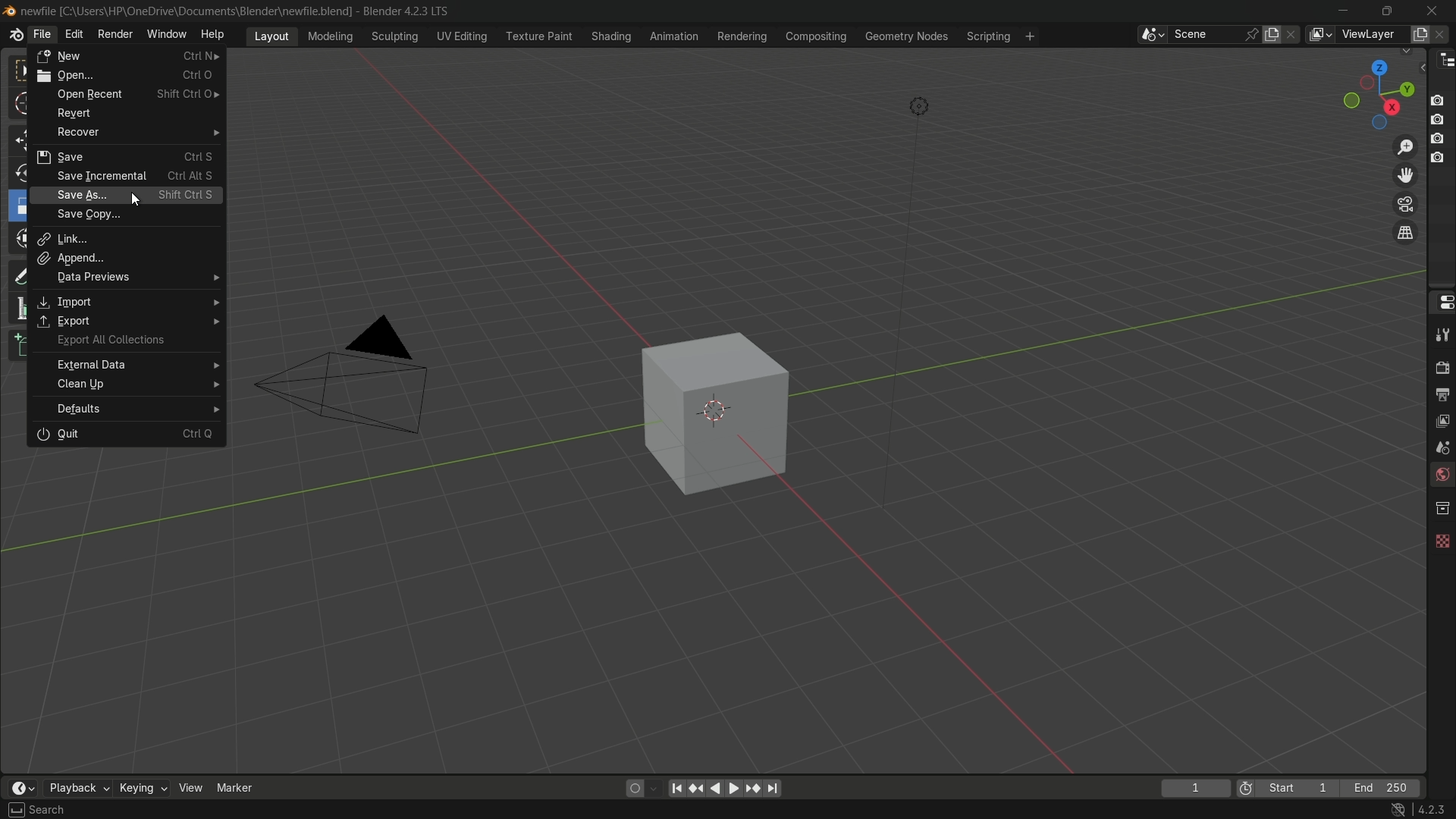  What do you see at coordinates (115, 33) in the screenshot?
I see `render menu` at bounding box center [115, 33].